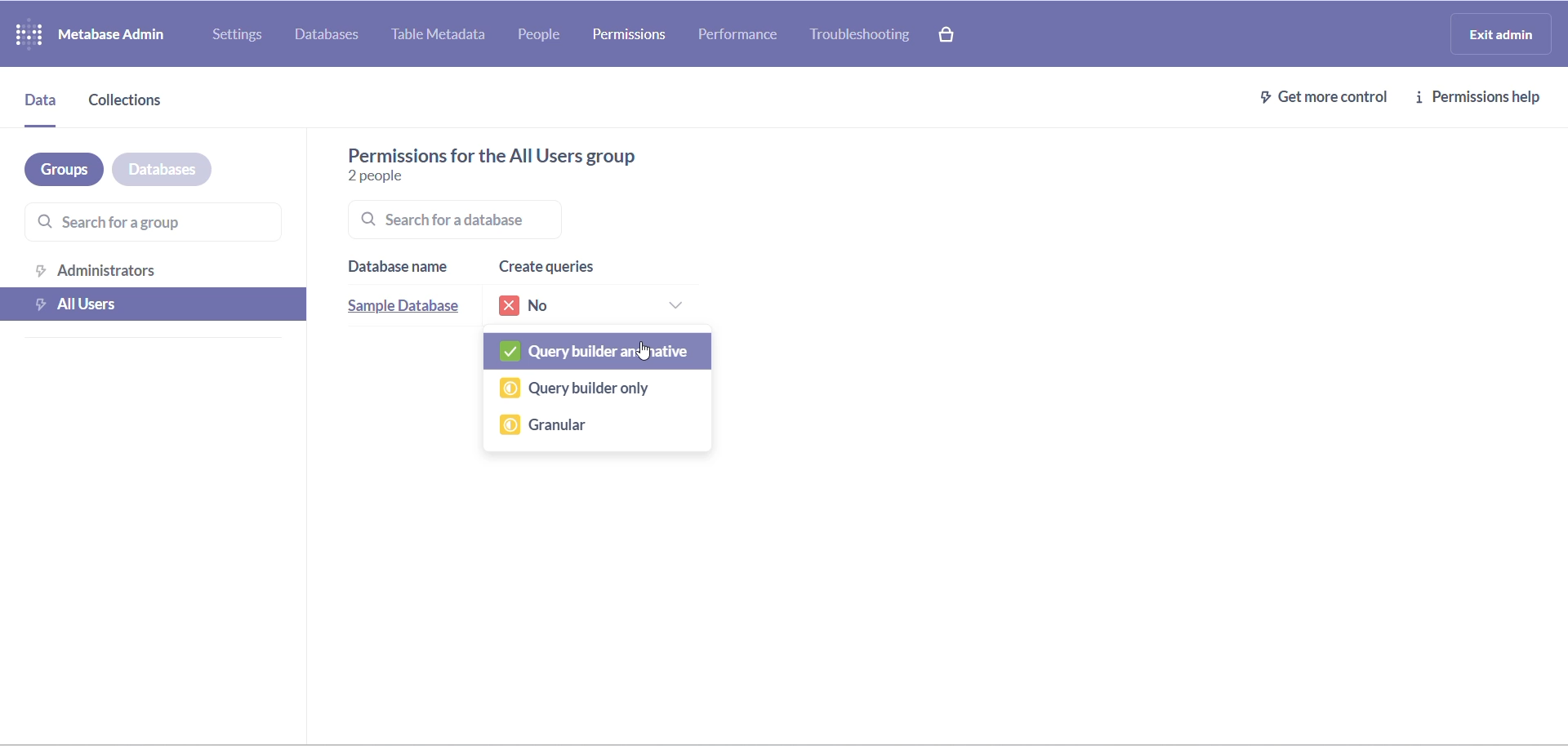 The height and width of the screenshot is (746, 1568). What do you see at coordinates (550, 36) in the screenshot?
I see `people` at bounding box center [550, 36].